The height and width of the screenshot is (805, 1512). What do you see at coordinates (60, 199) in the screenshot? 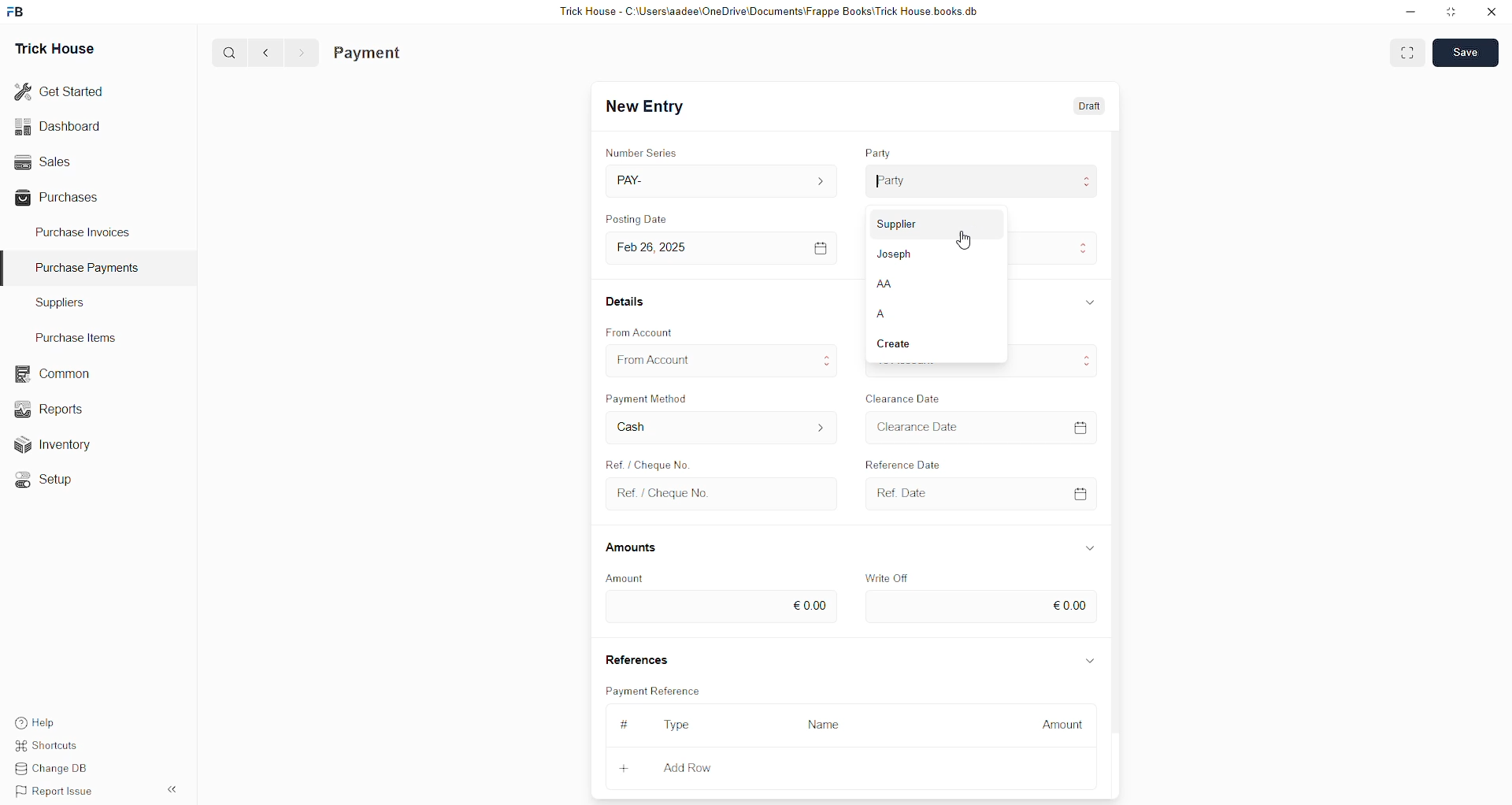
I see `Purchases` at bounding box center [60, 199].